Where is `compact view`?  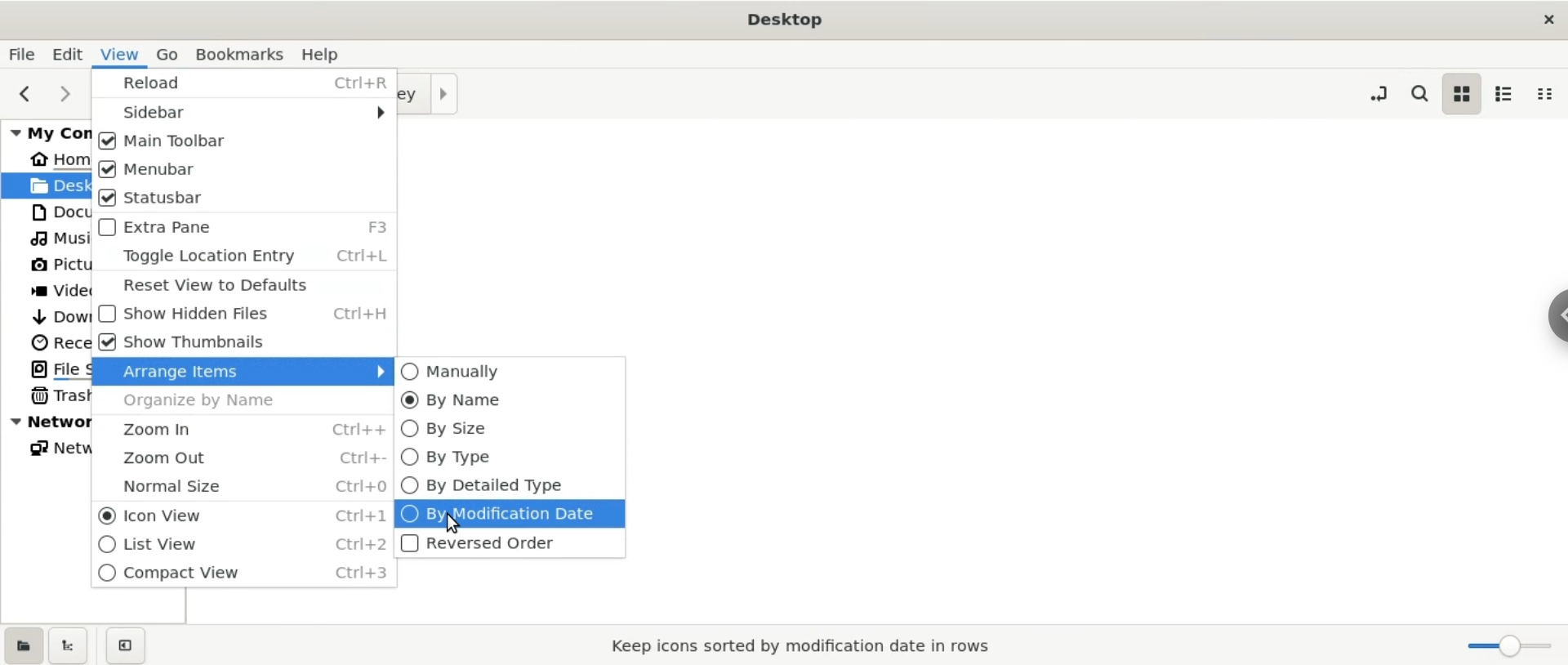
compact view is located at coordinates (243, 575).